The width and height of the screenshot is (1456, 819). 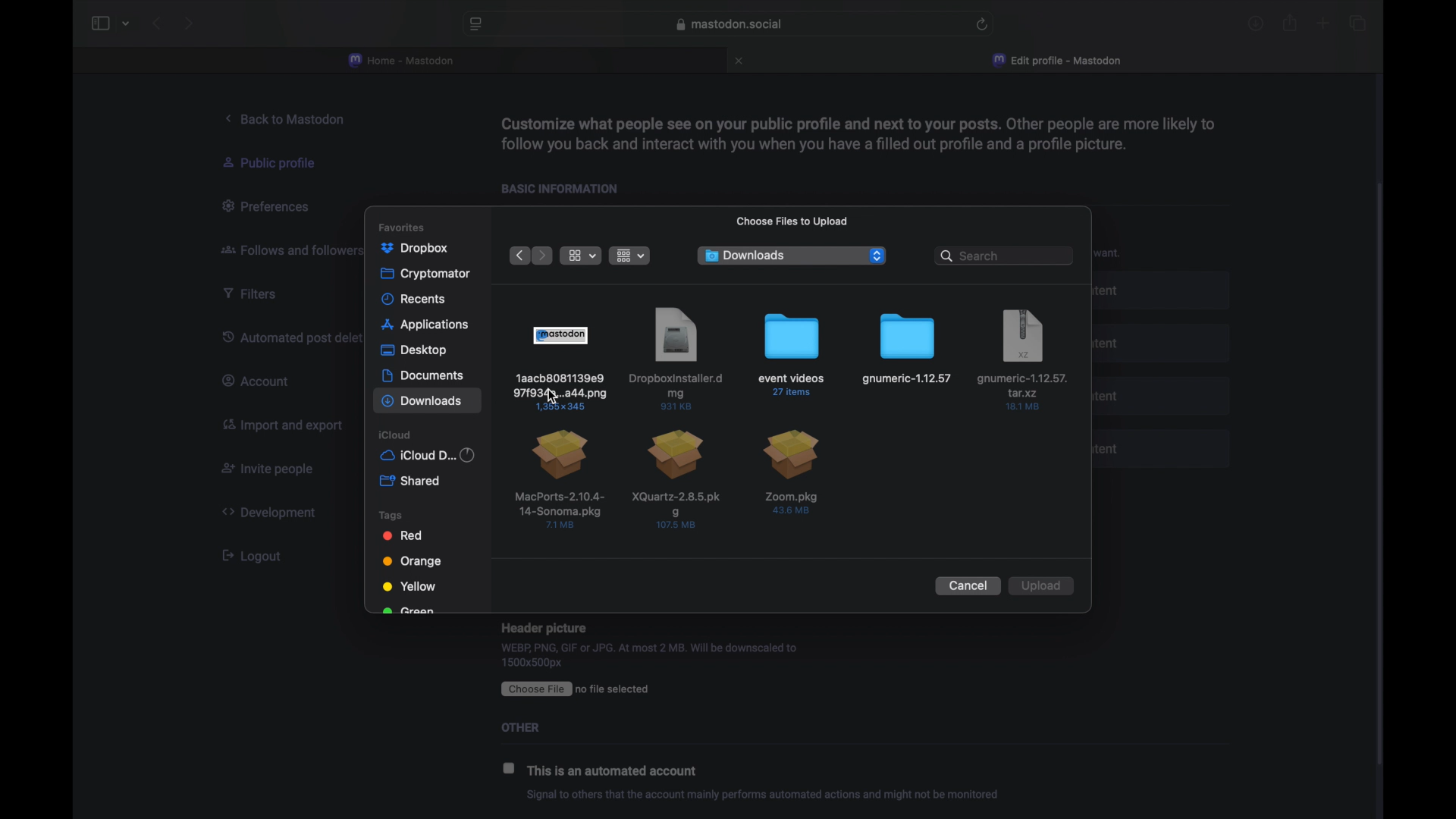 I want to click on file, so click(x=1023, y=360).